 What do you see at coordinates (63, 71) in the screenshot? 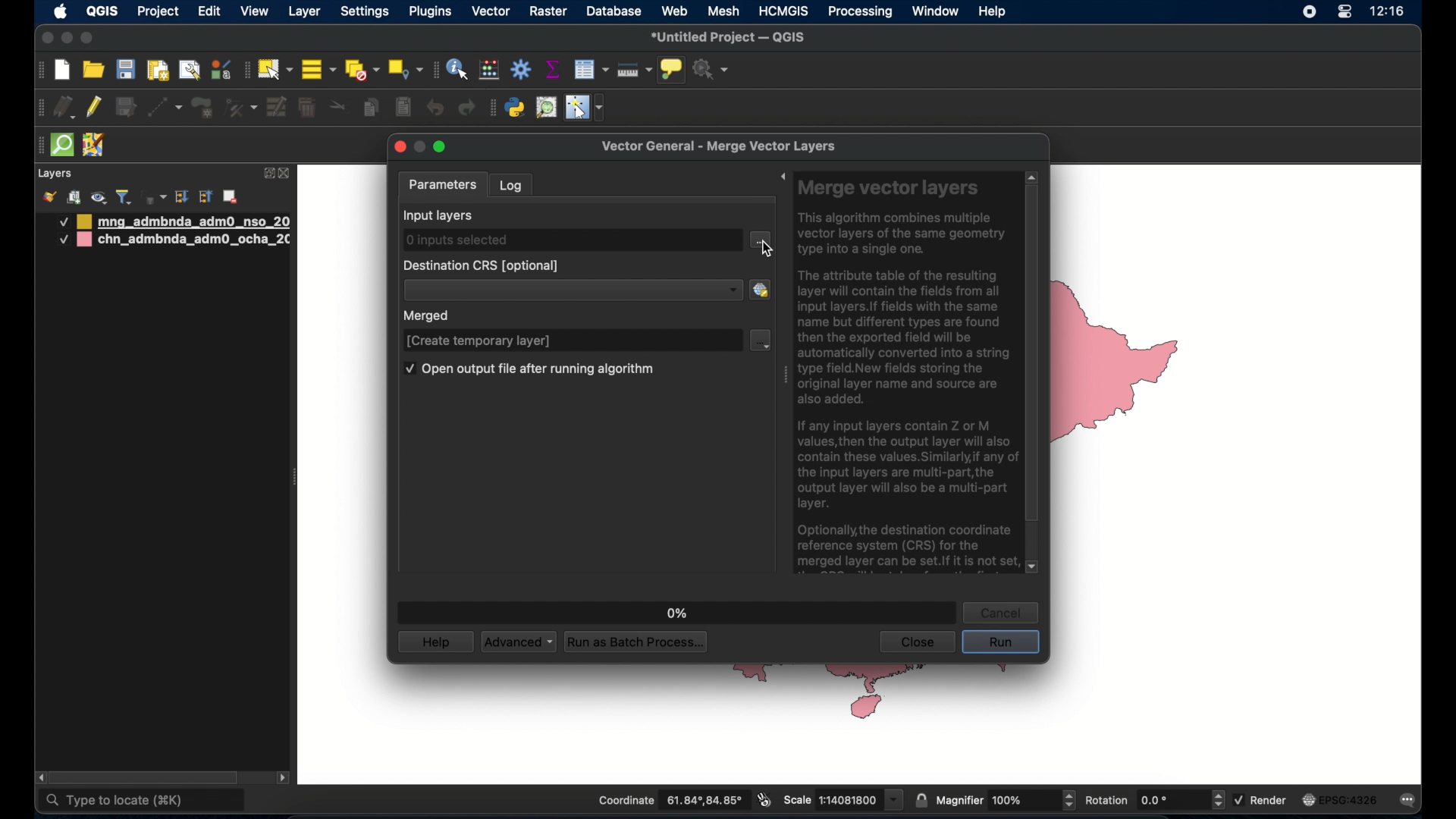
I see `create new project` at bounding box center [63, 71].